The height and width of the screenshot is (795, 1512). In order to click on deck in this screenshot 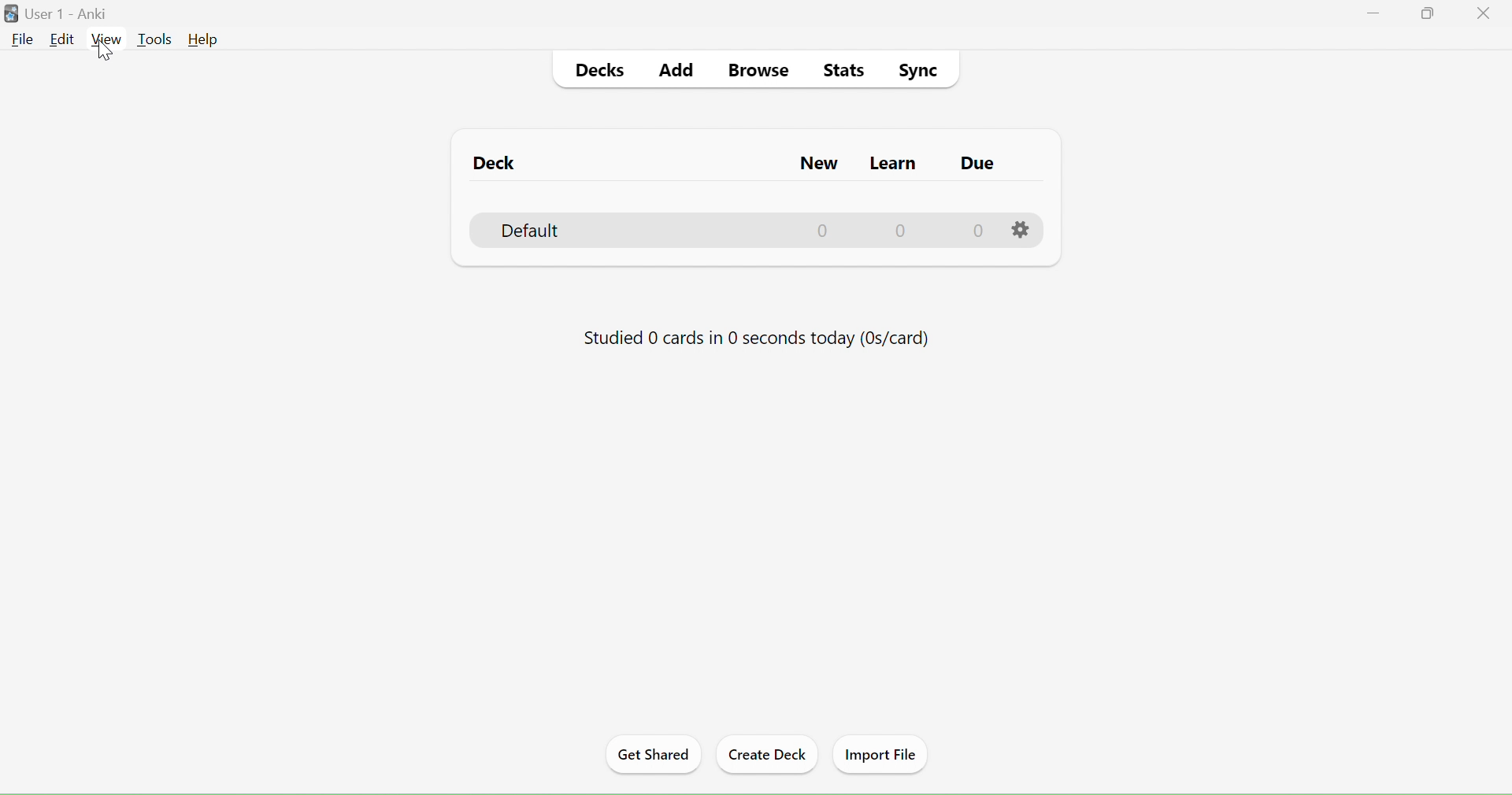, I will do `click(494, 164)`.